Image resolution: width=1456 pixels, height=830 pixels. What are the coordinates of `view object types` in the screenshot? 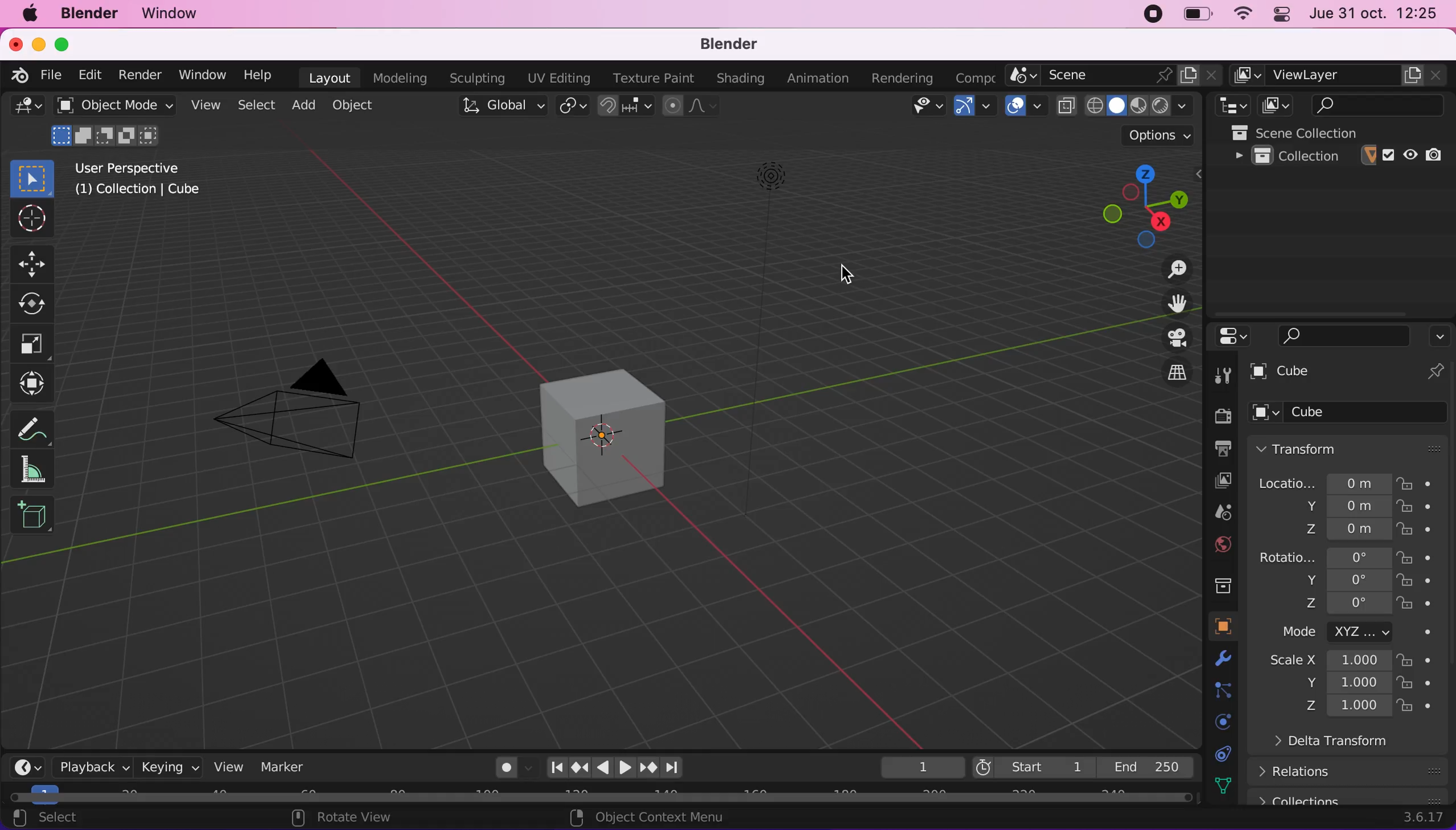 It's located at (917, 107).